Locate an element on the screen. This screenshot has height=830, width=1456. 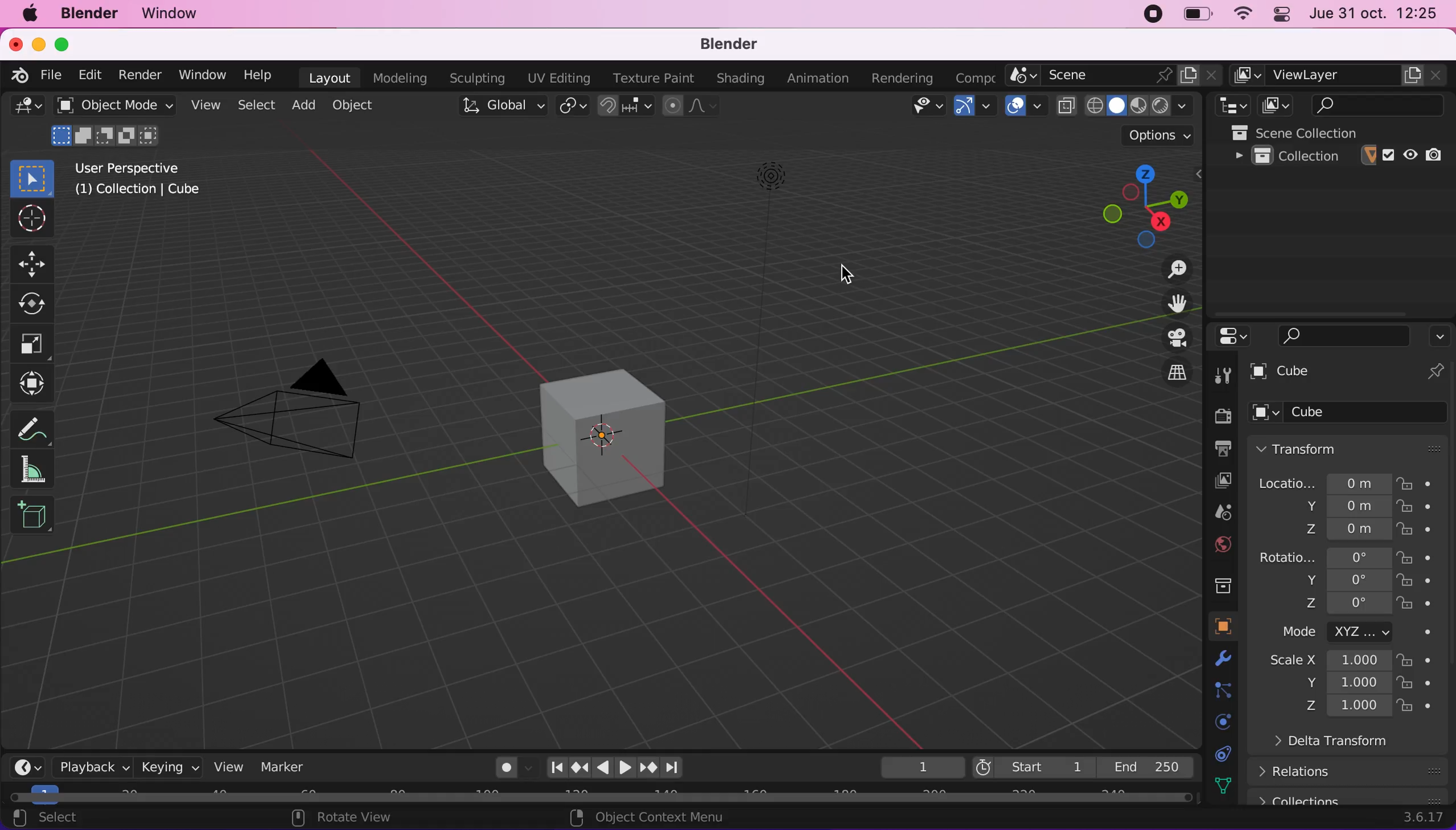
scene collection is located at coordinates (1341, 132).